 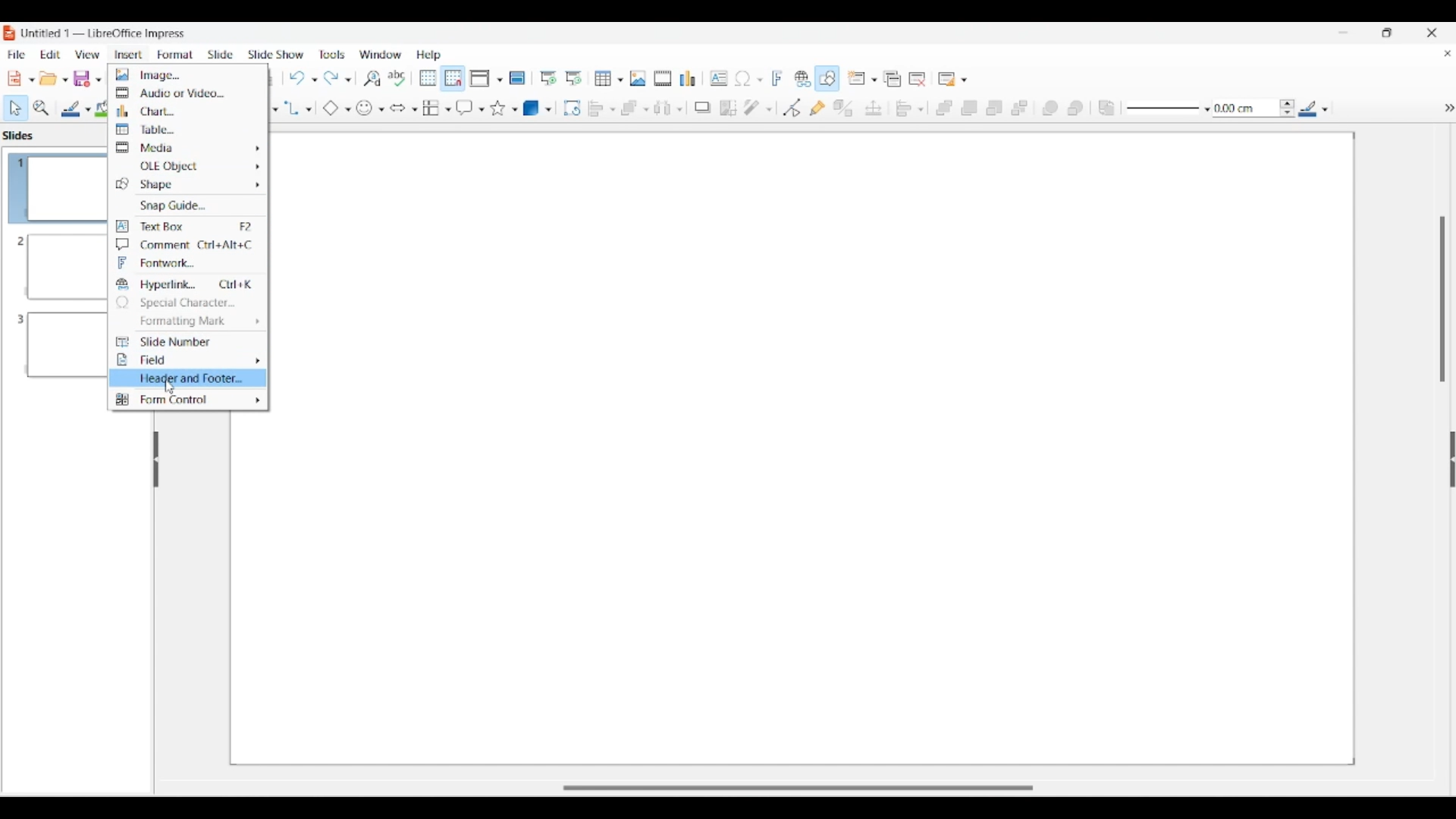 What do you see at coordinates (602, 109) in the screenshot?
I see `Align object options` at bounding box center [602, 109].